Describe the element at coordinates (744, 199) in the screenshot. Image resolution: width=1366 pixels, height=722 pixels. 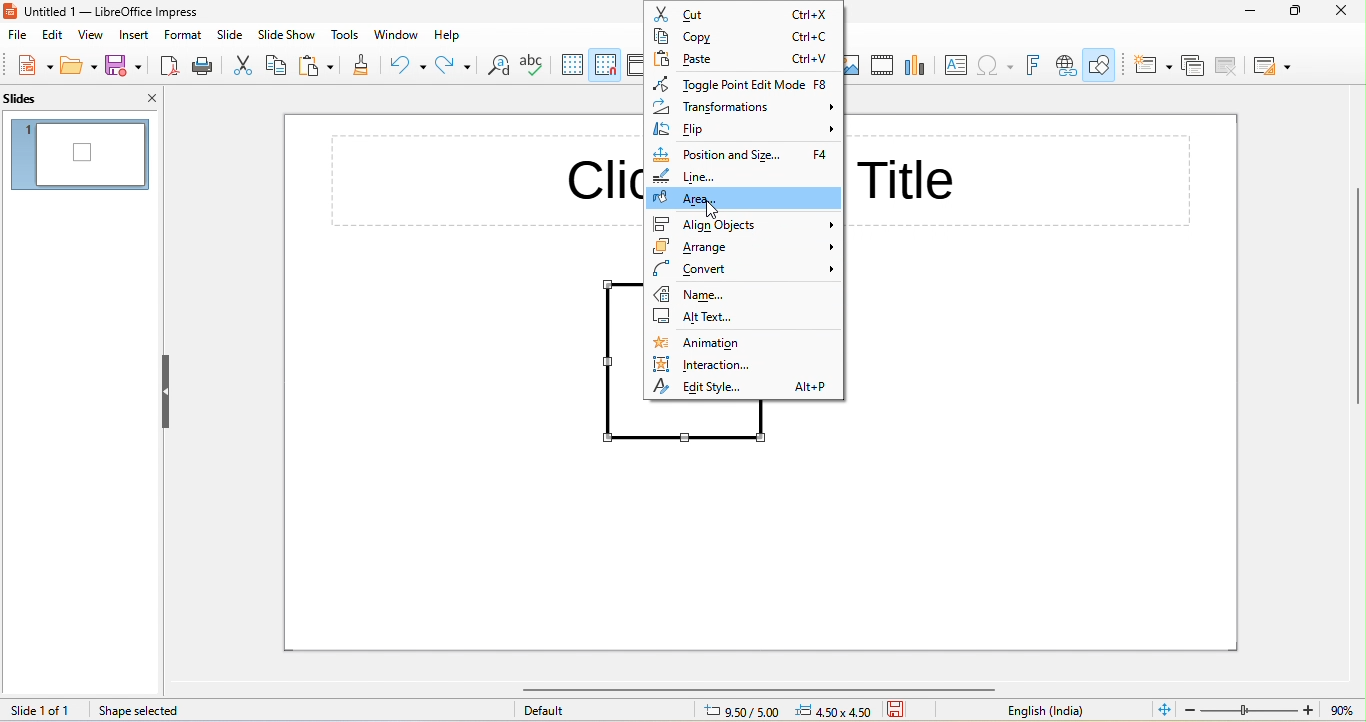
I see `area` at that location.